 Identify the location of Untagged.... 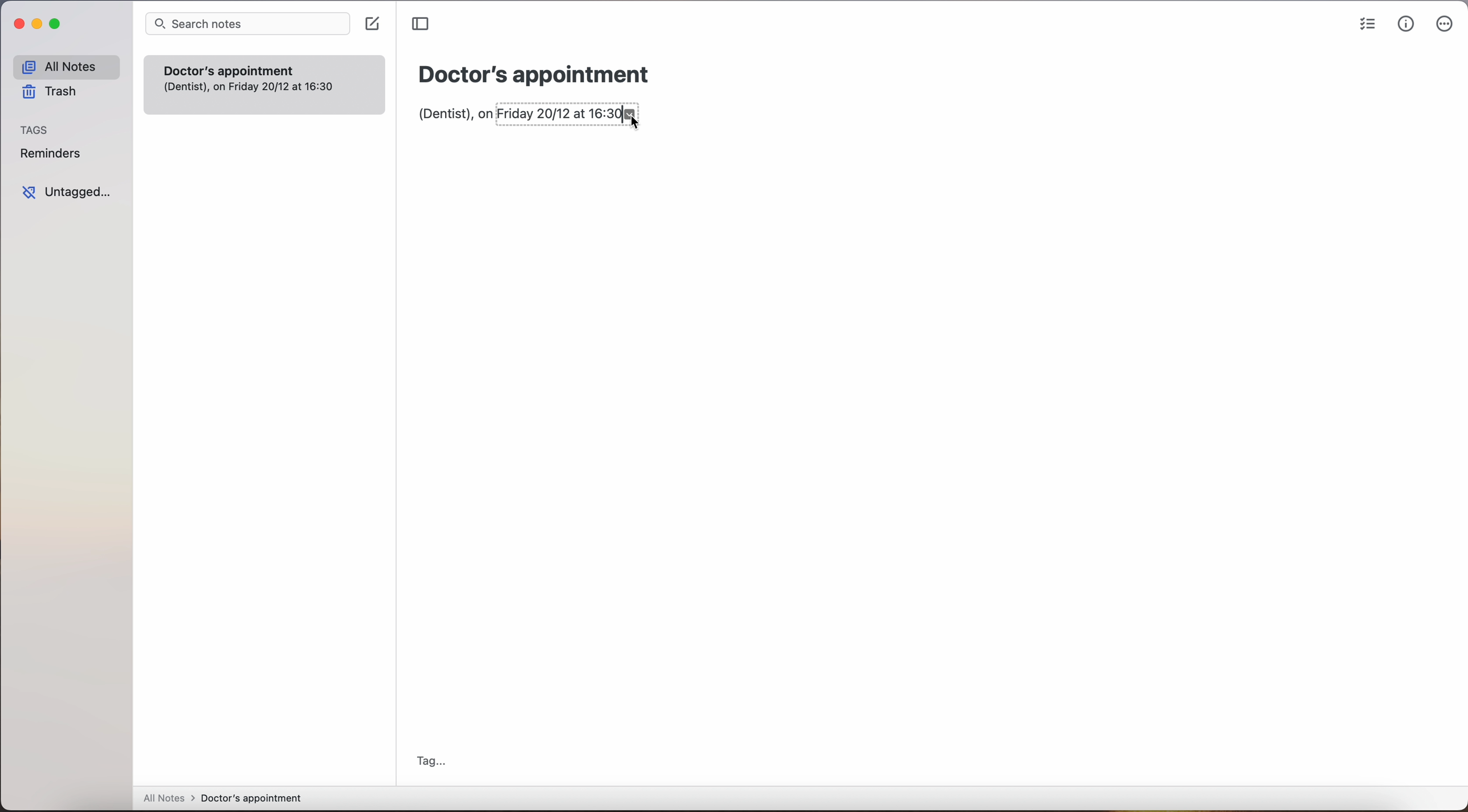
(71, 193).